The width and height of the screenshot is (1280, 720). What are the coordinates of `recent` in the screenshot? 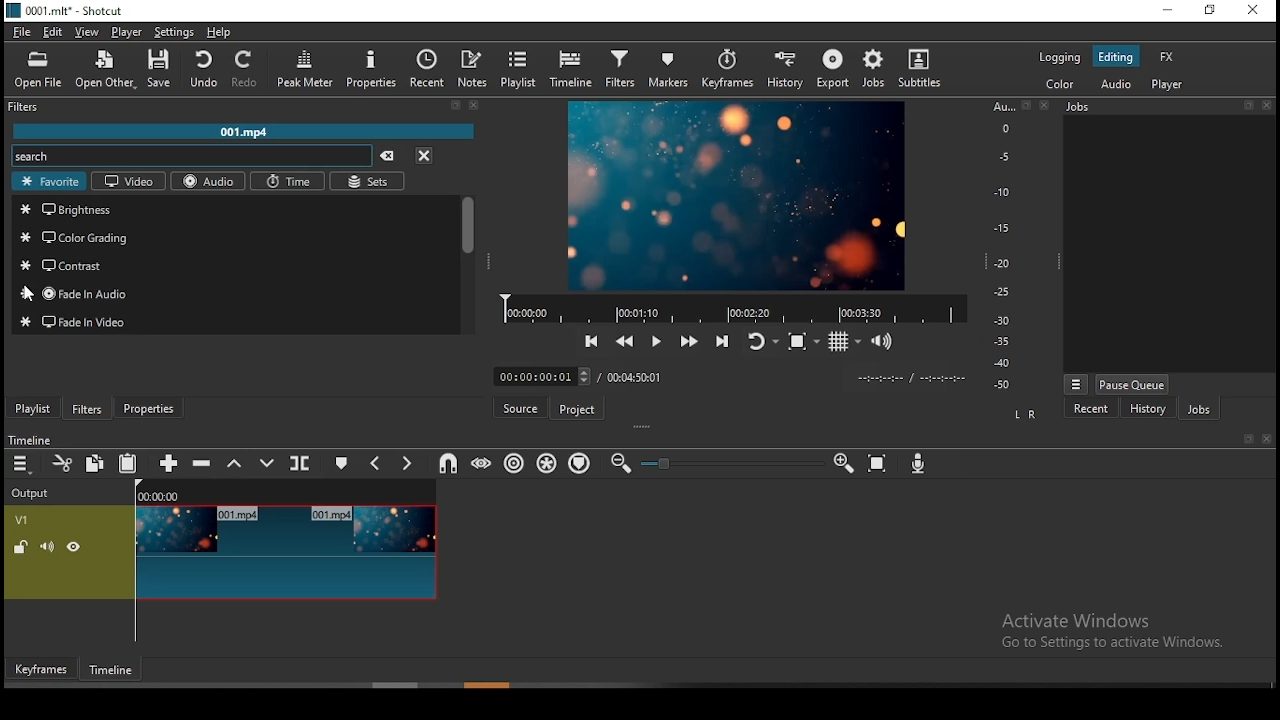 It's located at (1093, 408).